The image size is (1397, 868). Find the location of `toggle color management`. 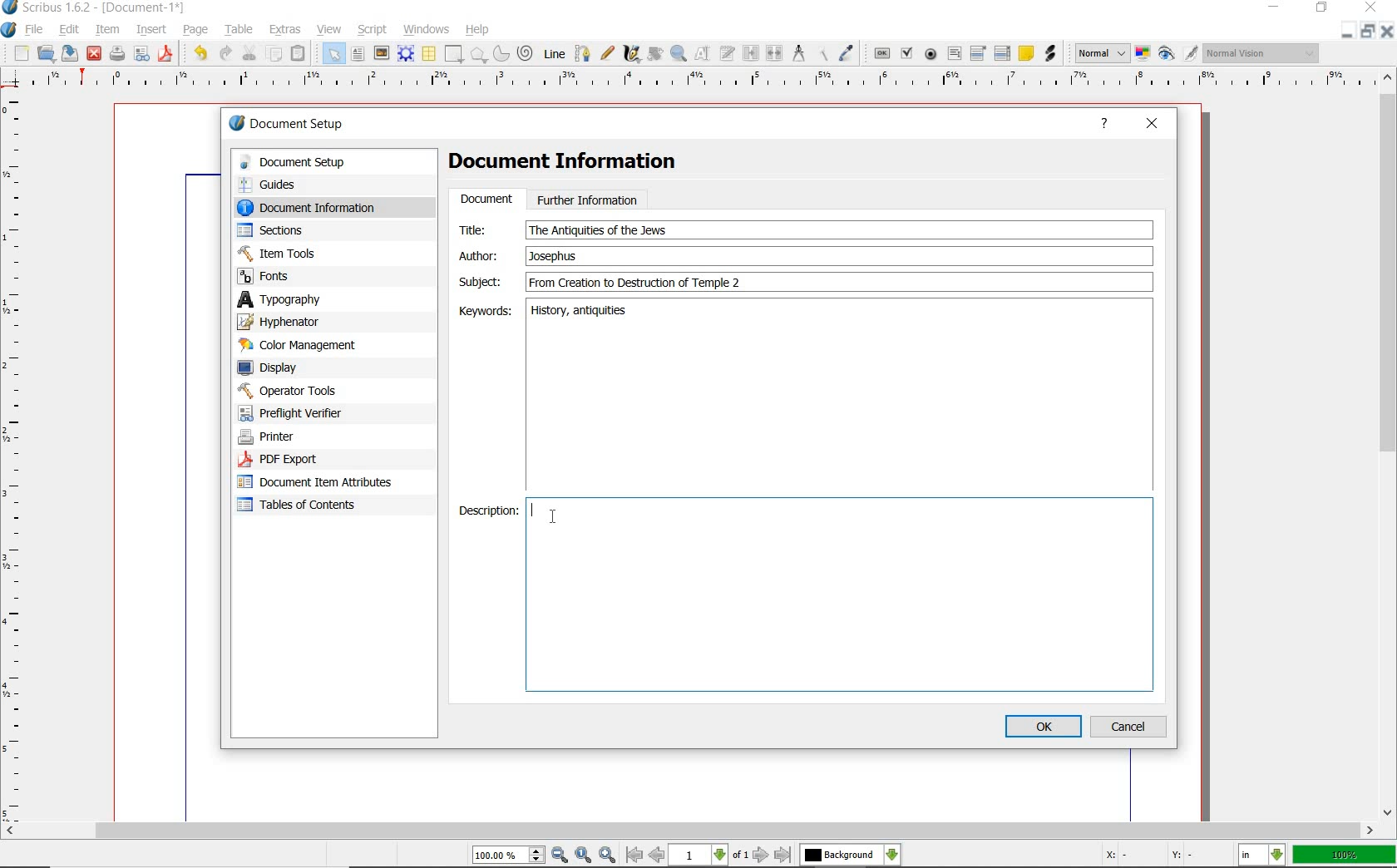

toggle color management is located at coordinates (1143, 53).